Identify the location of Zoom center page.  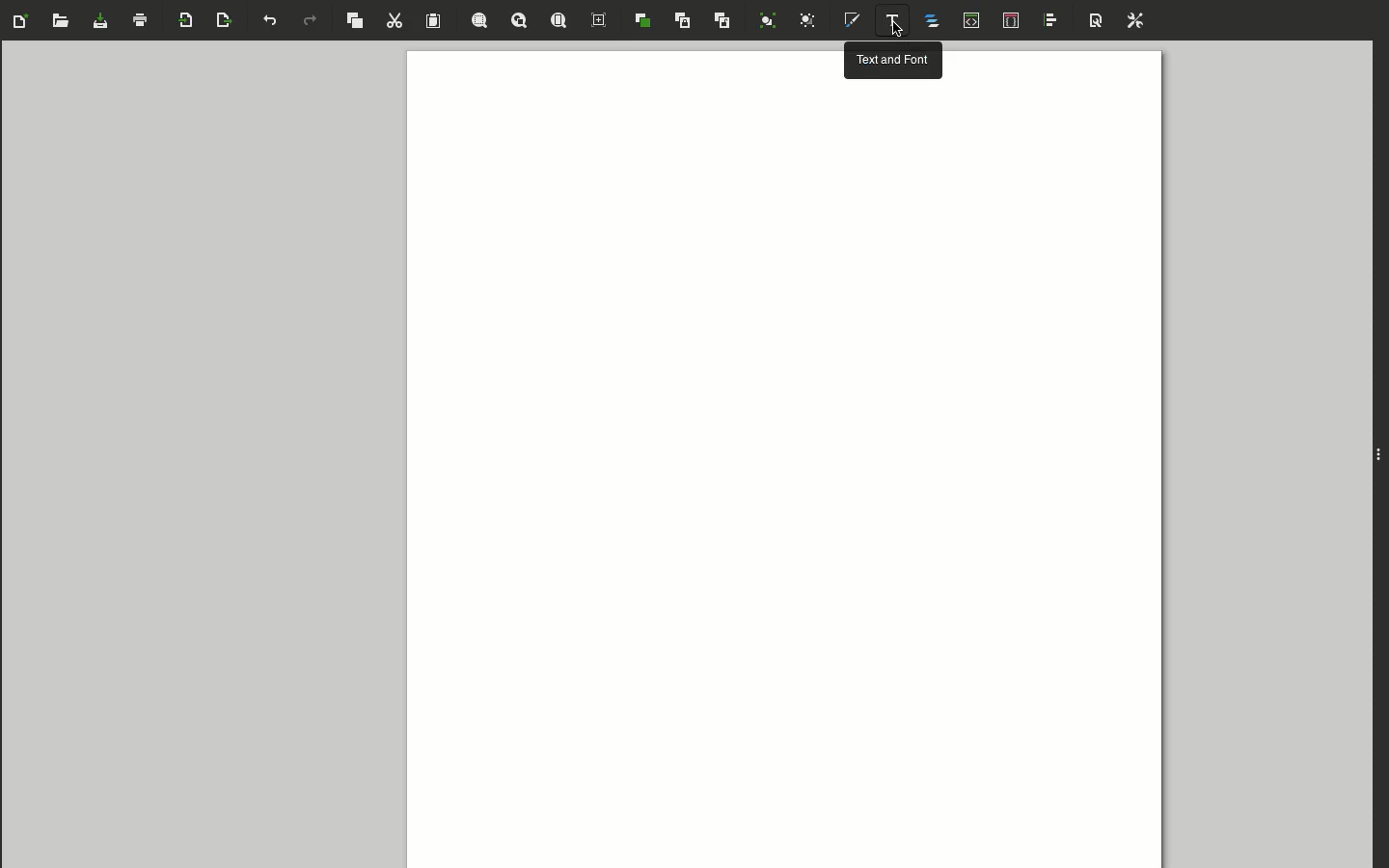
(600, 21).